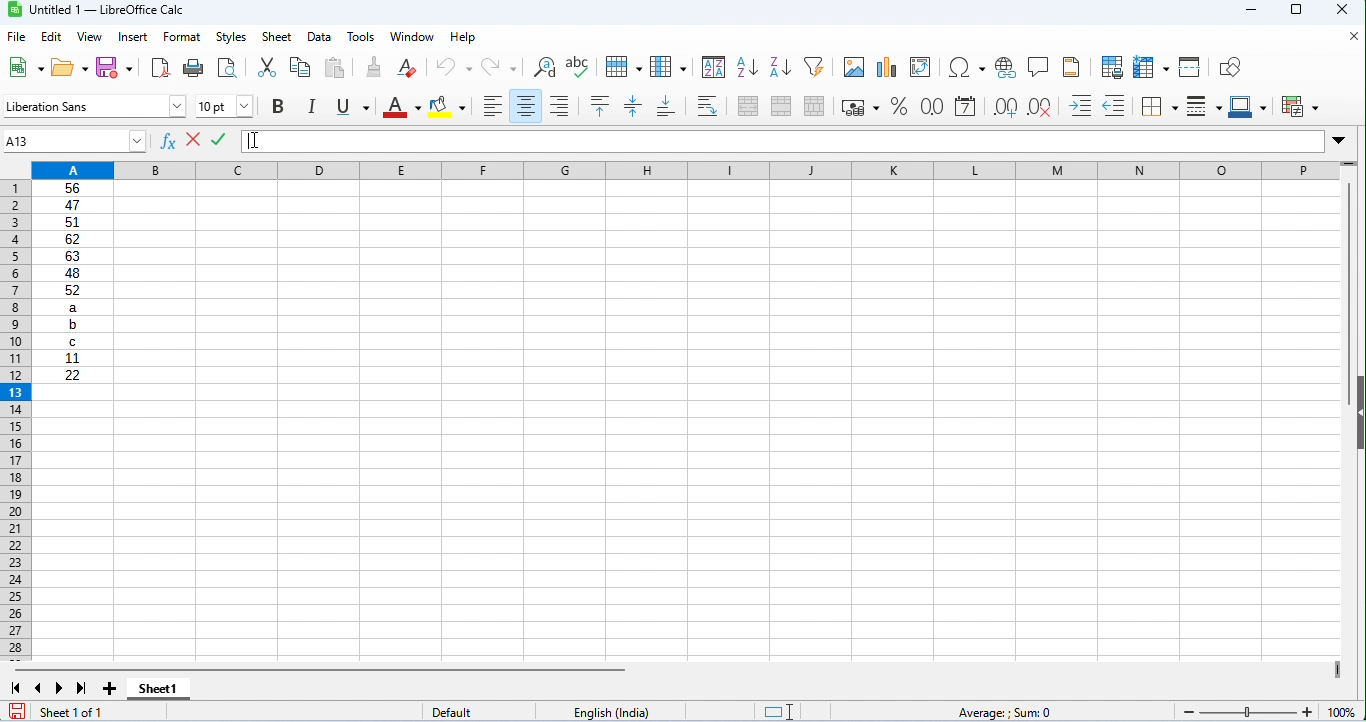 The image size is (1366, 722). What do you see at coordinates (633, 106) in the screenshot?
I see `center vertically` at bounding box center [633, 106].